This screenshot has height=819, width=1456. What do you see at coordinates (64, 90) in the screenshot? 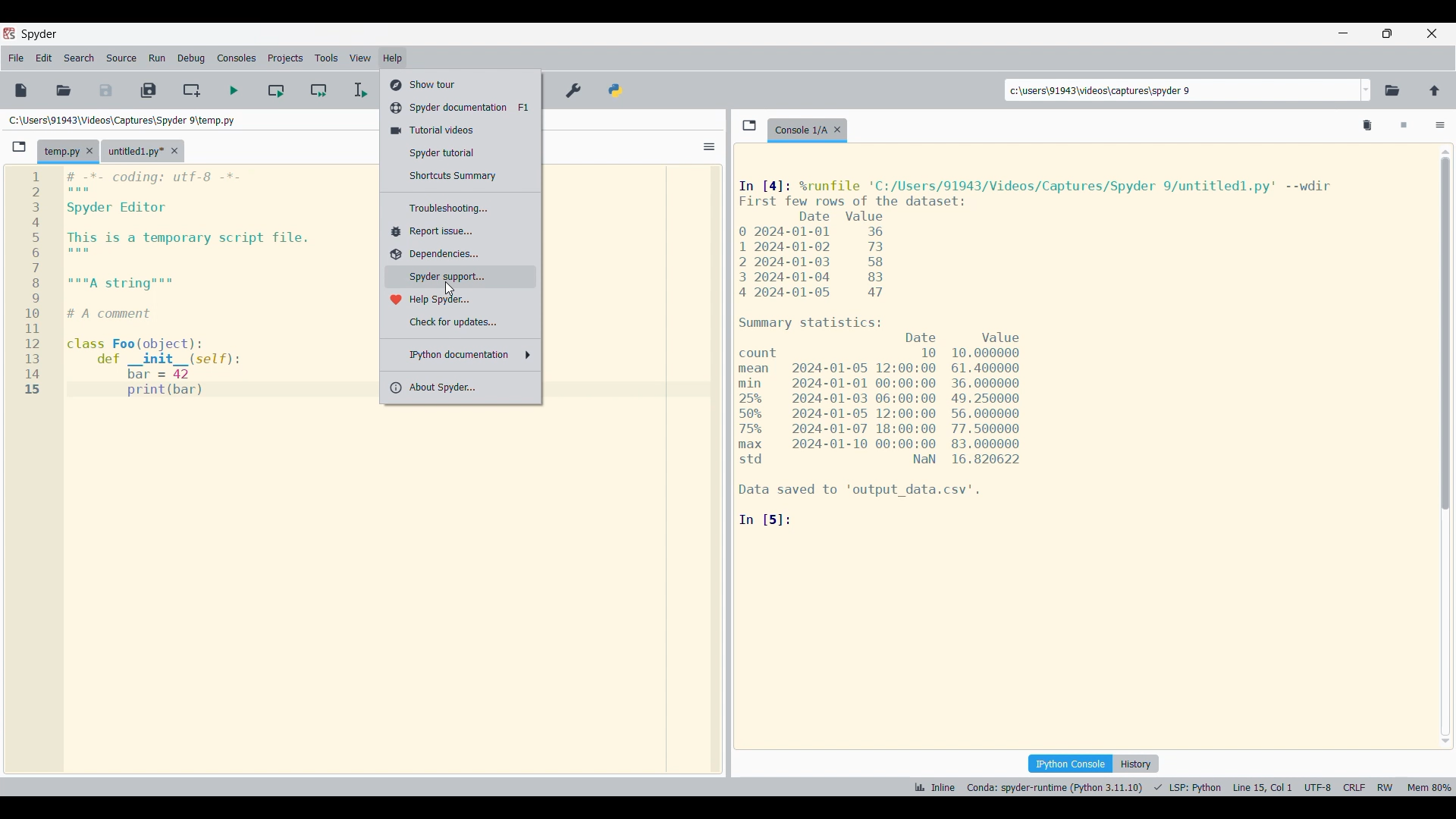
I see `Open file` at bounding box center [64, 90].